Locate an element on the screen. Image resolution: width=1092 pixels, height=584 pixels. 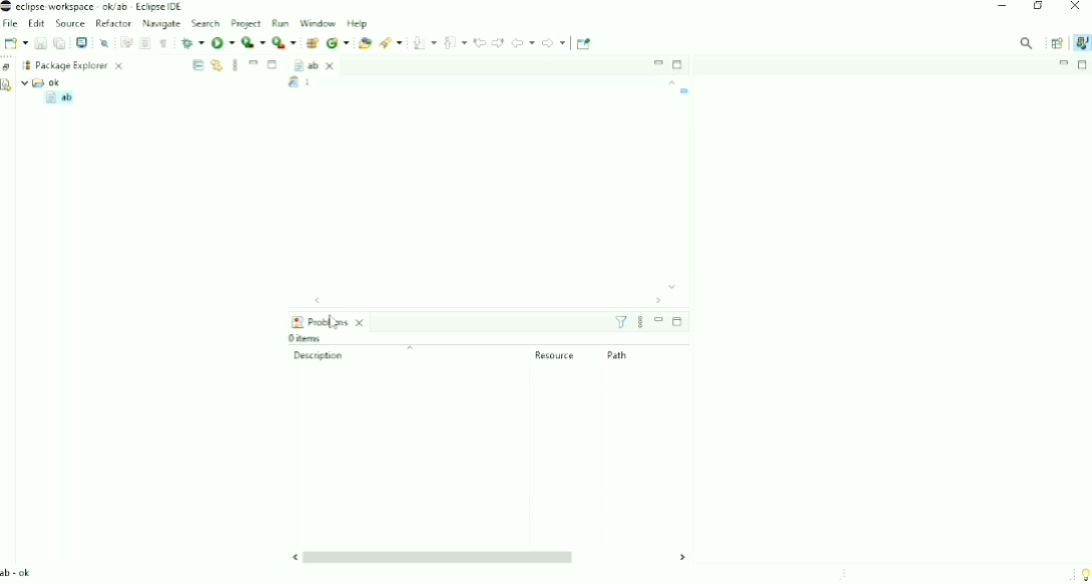
Horizontal scrollbar is located at coordinates (476, 301).